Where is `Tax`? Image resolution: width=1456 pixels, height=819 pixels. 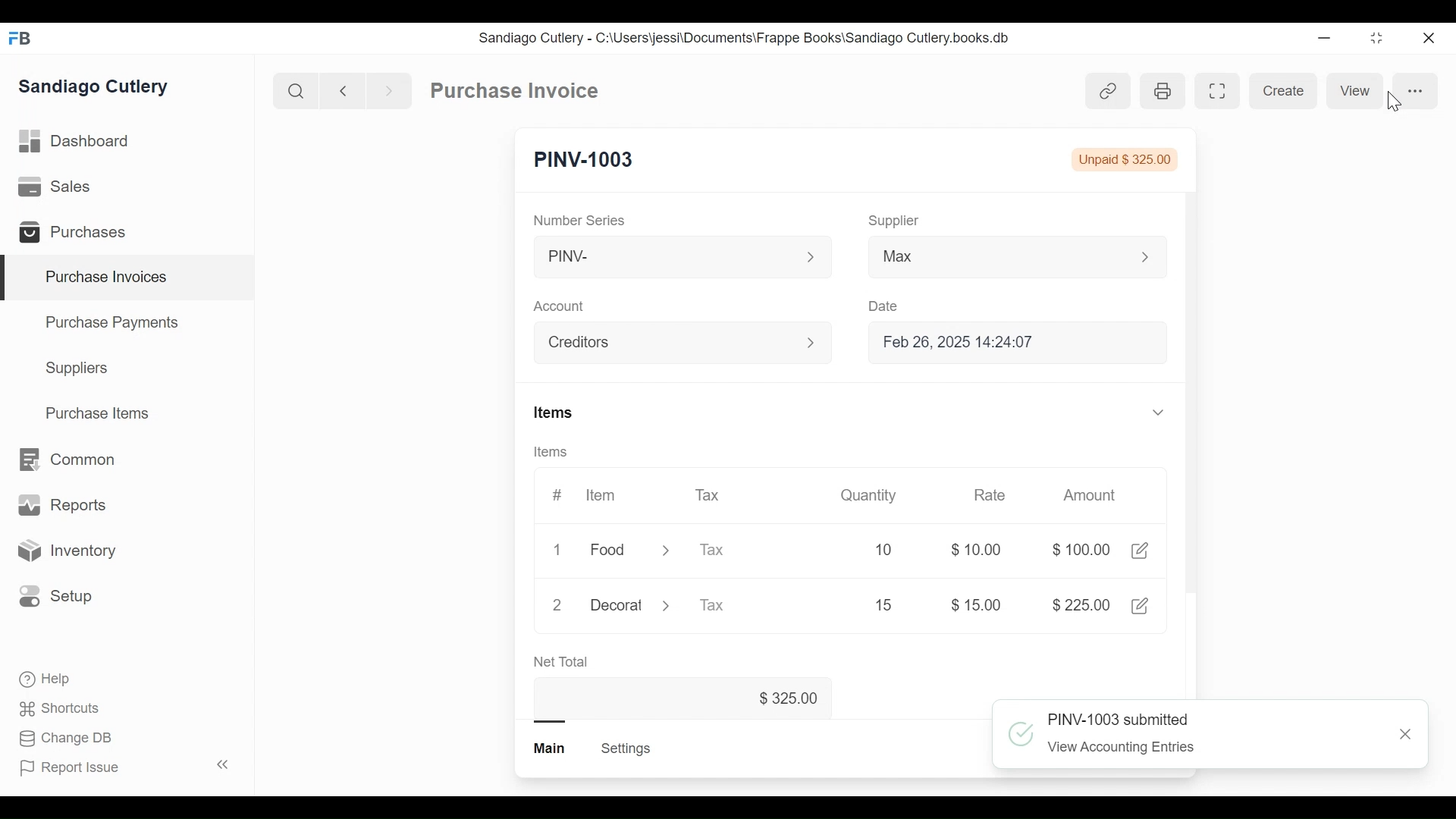
Tax is located at coordinates (731, 549).